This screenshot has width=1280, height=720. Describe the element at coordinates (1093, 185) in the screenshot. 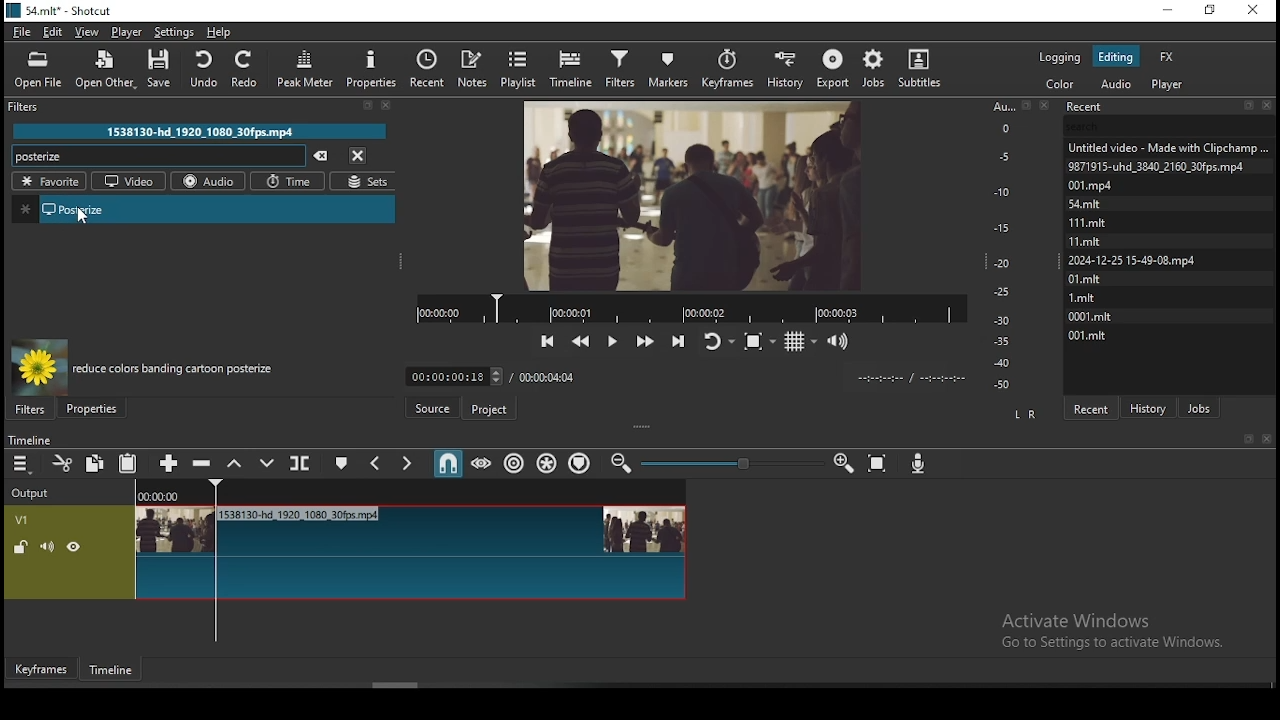

I see `001.mpd` at that location.